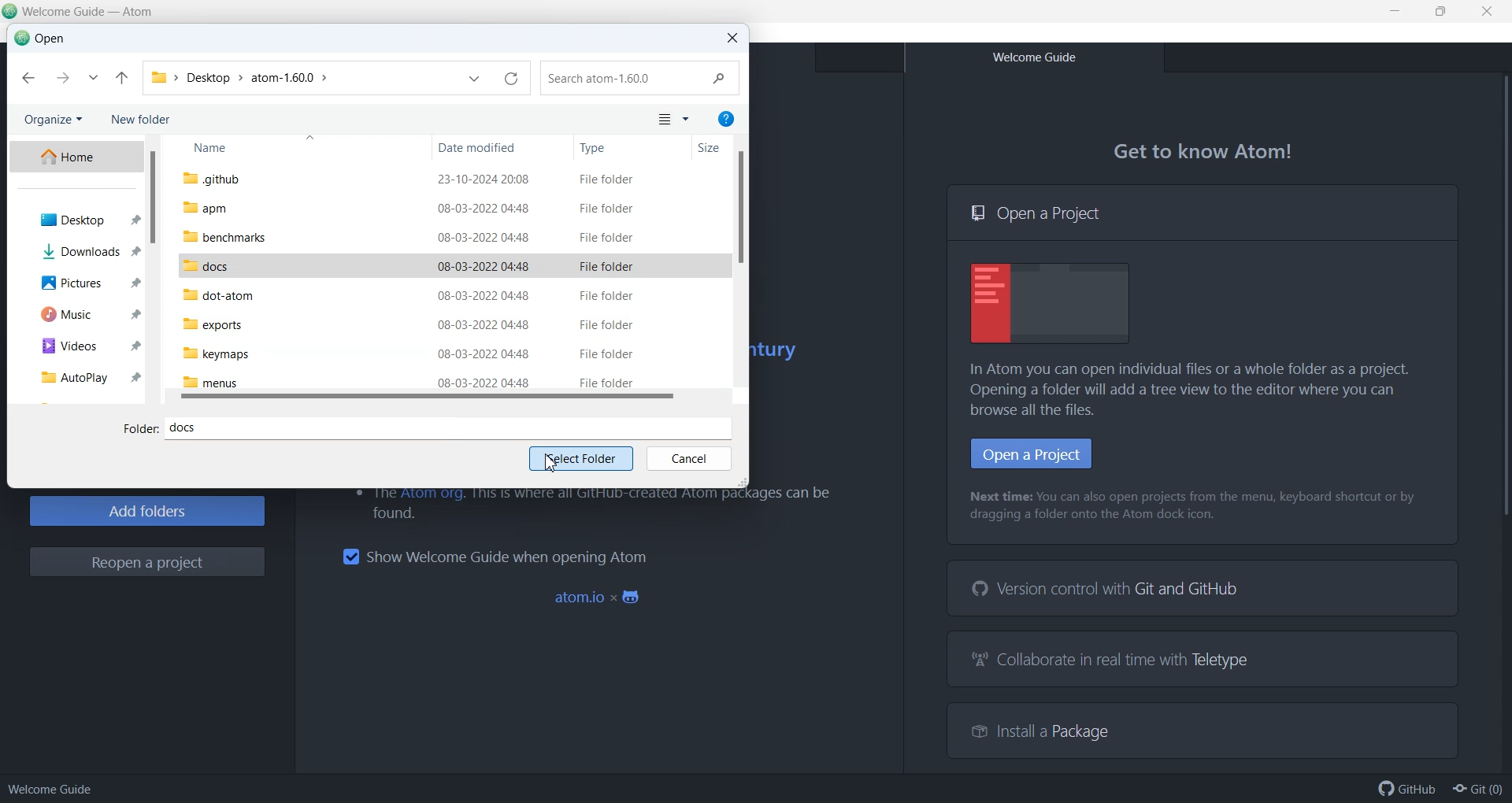 The width and height of the screenshot is (1512, 803). Describe the element at coordinates (75, 250) in the screenshot. I see `Download` at that location.